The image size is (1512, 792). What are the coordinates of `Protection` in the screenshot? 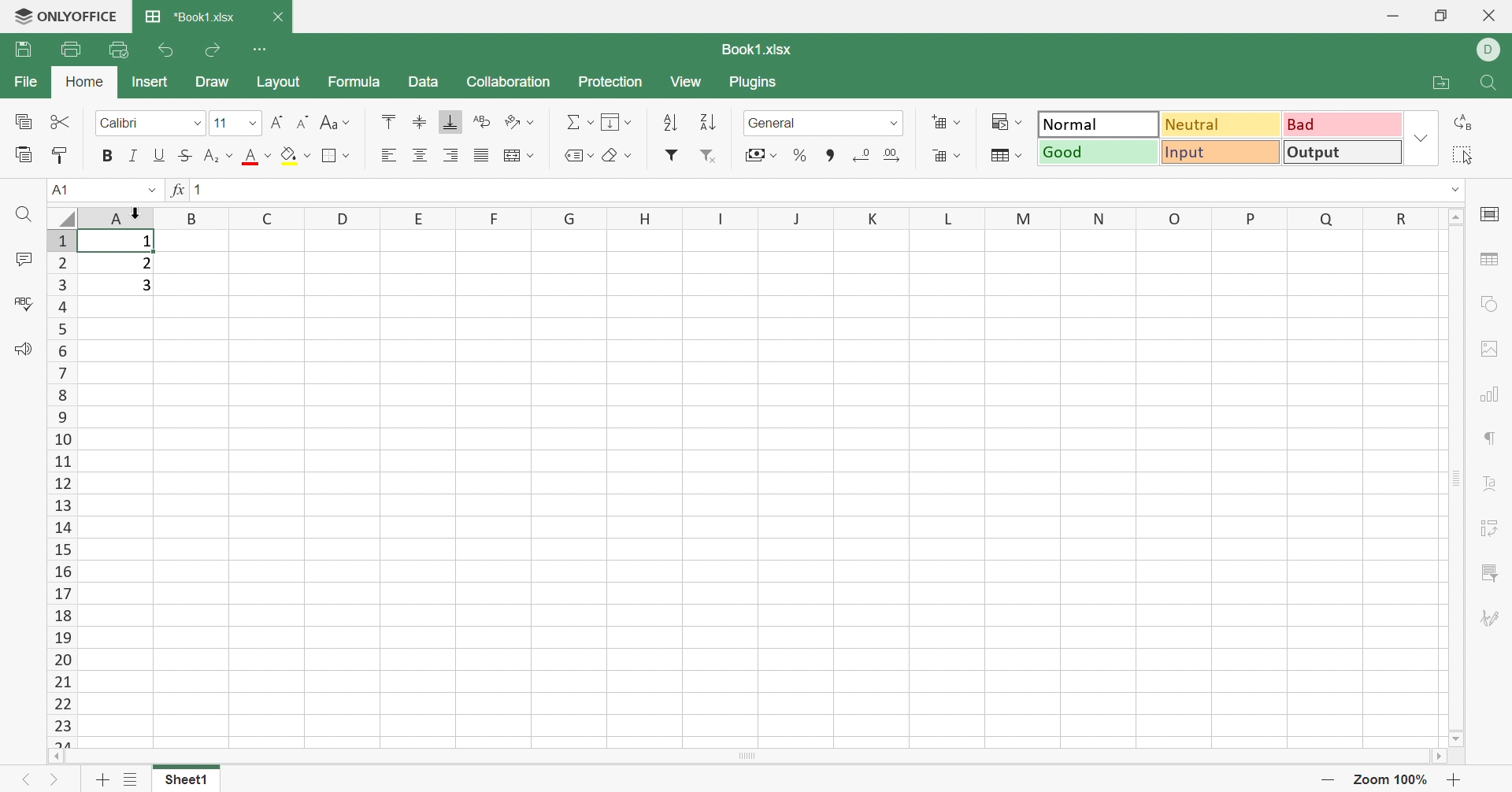 It's located at (610, 83).